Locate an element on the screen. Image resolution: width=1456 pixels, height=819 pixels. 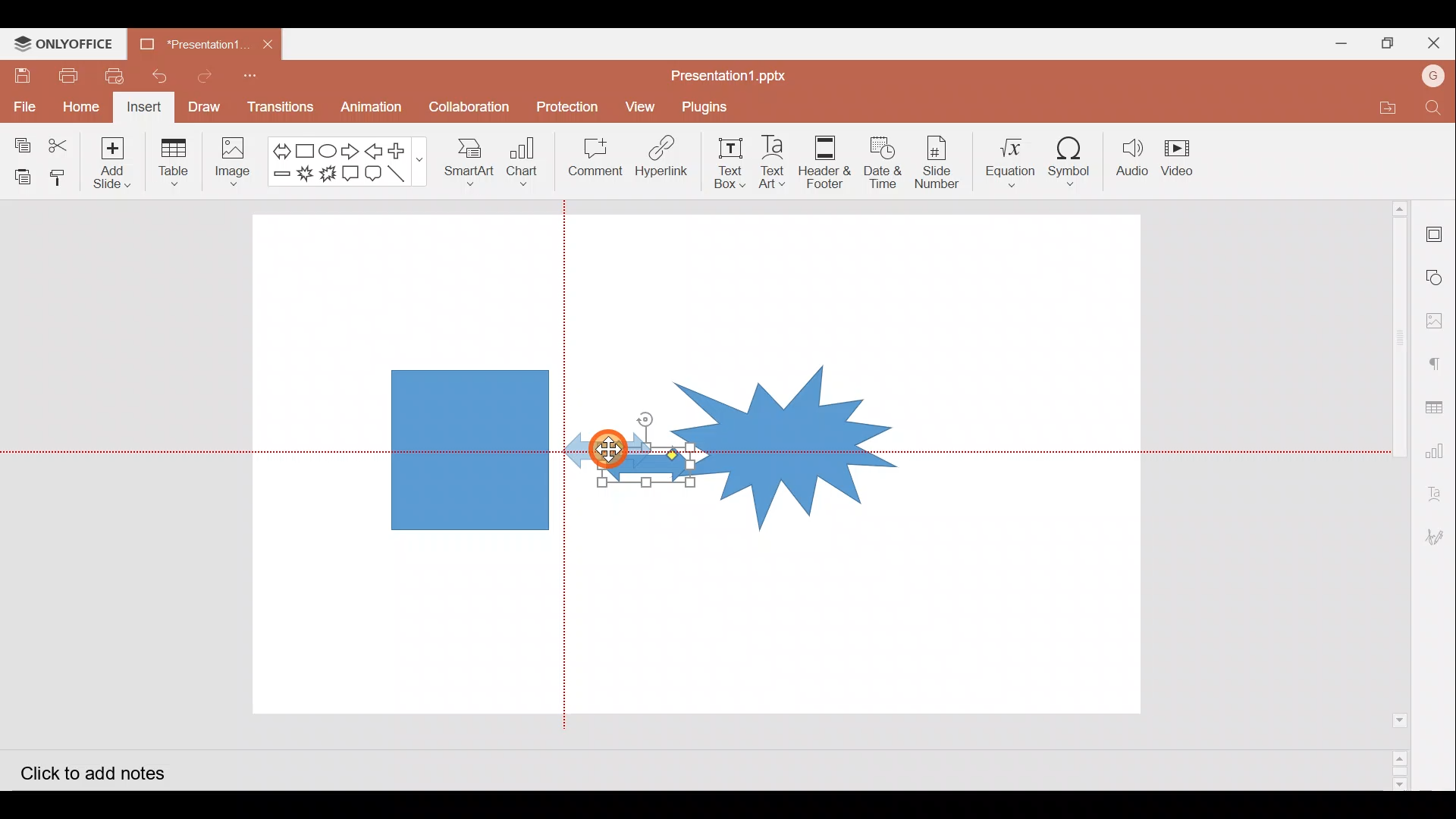
Shapes settings is located at coordinates (1436, 275).